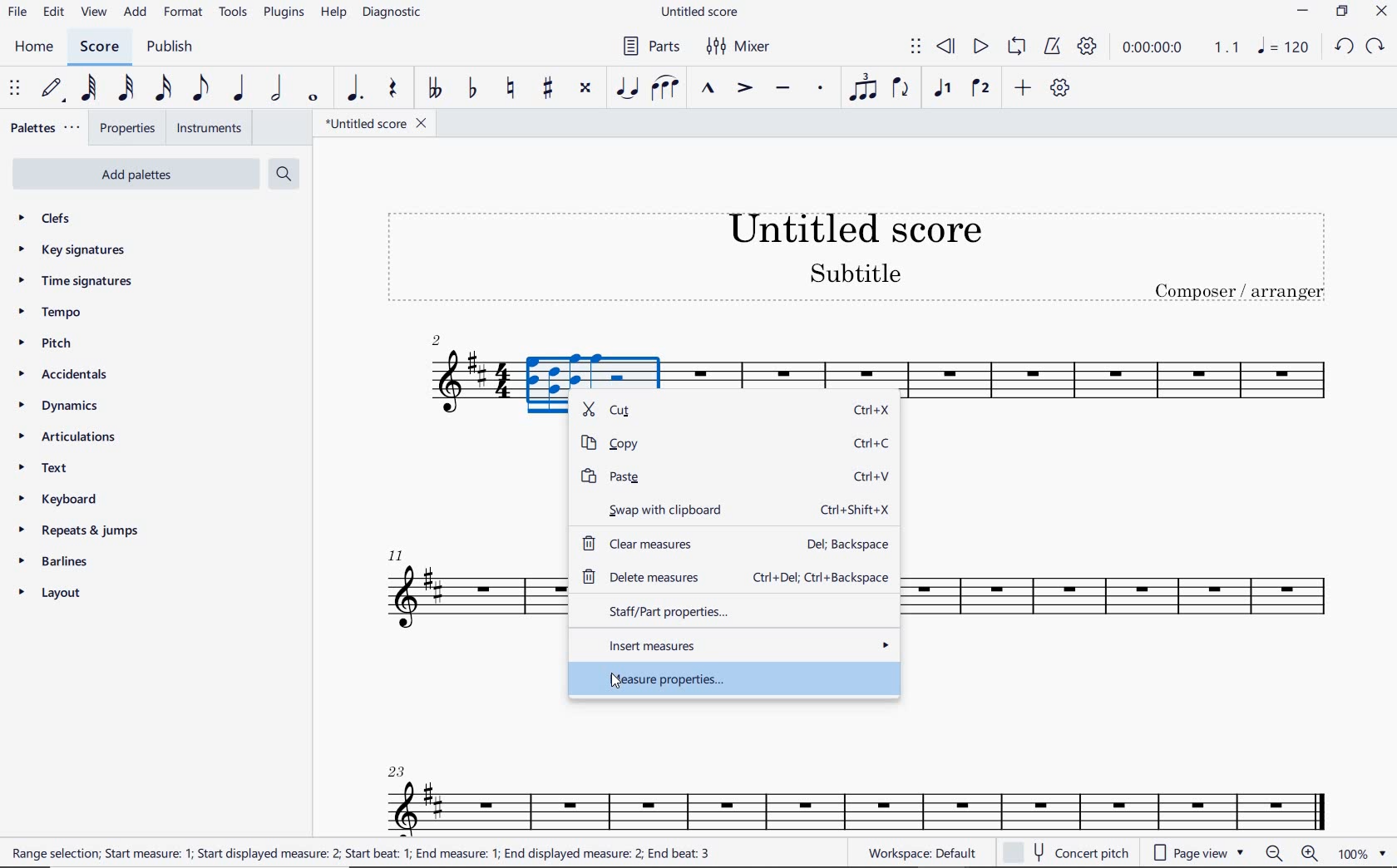  I want to click on PLAY SPEED, so click(1181, 49).